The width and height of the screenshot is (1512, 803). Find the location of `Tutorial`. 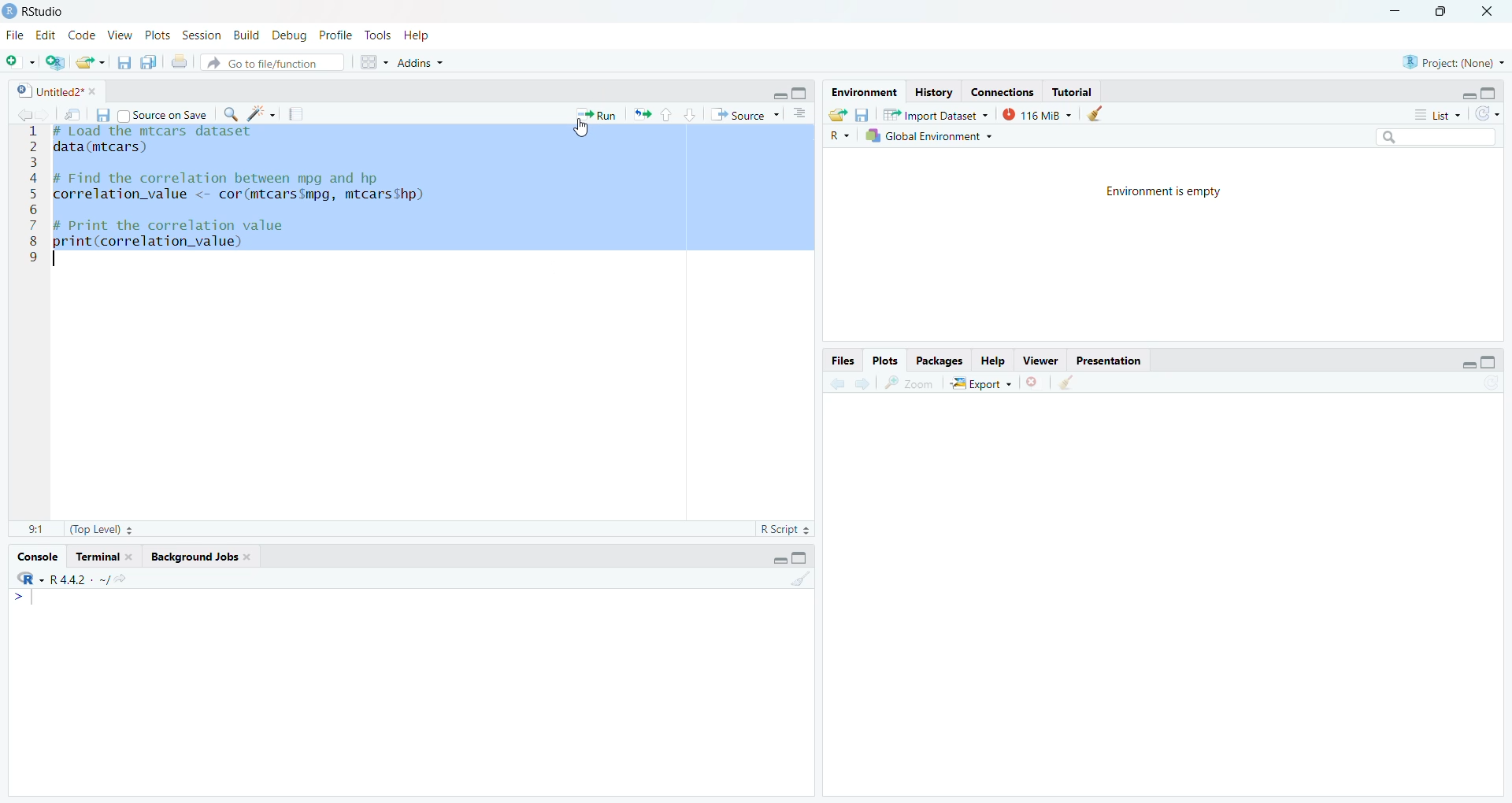

Tutorial is located at coordinates (1073, 92).